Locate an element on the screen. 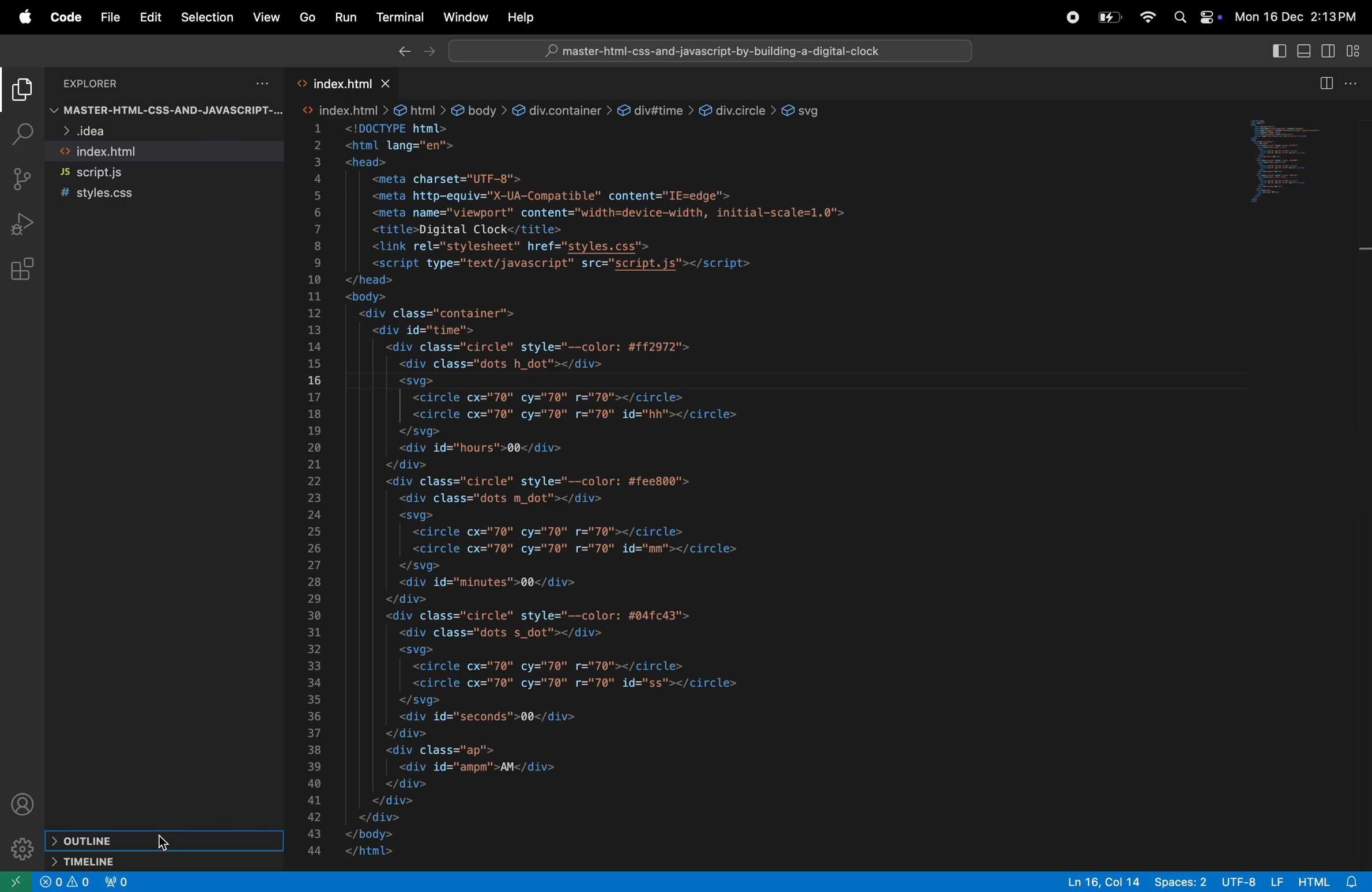 Image resolution: width=1372 pixels, height=892 pixels. line numbers is located at coordinates (316, 492).